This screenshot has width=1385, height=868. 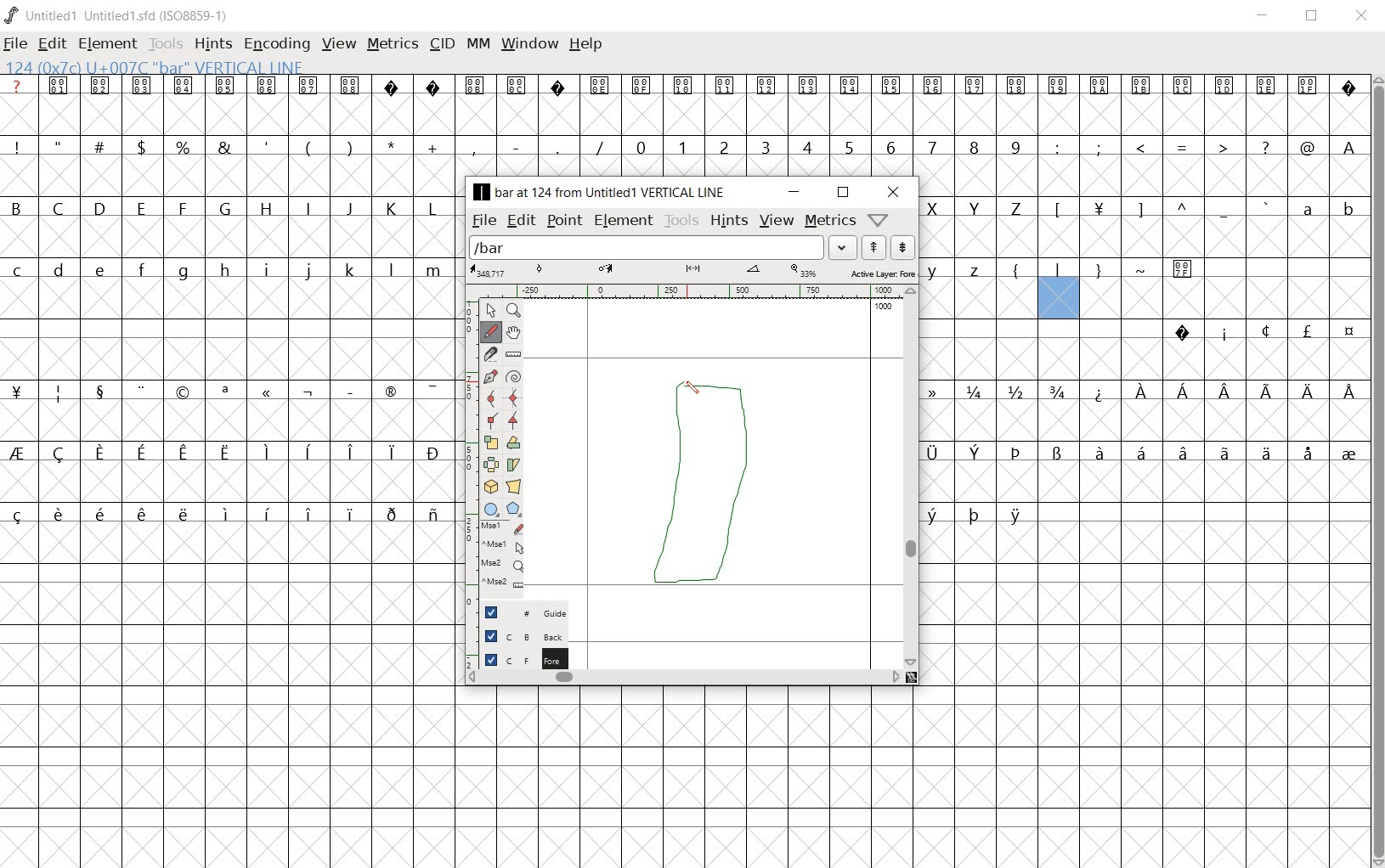 I want to click on tools, so click(x=166, y=42).